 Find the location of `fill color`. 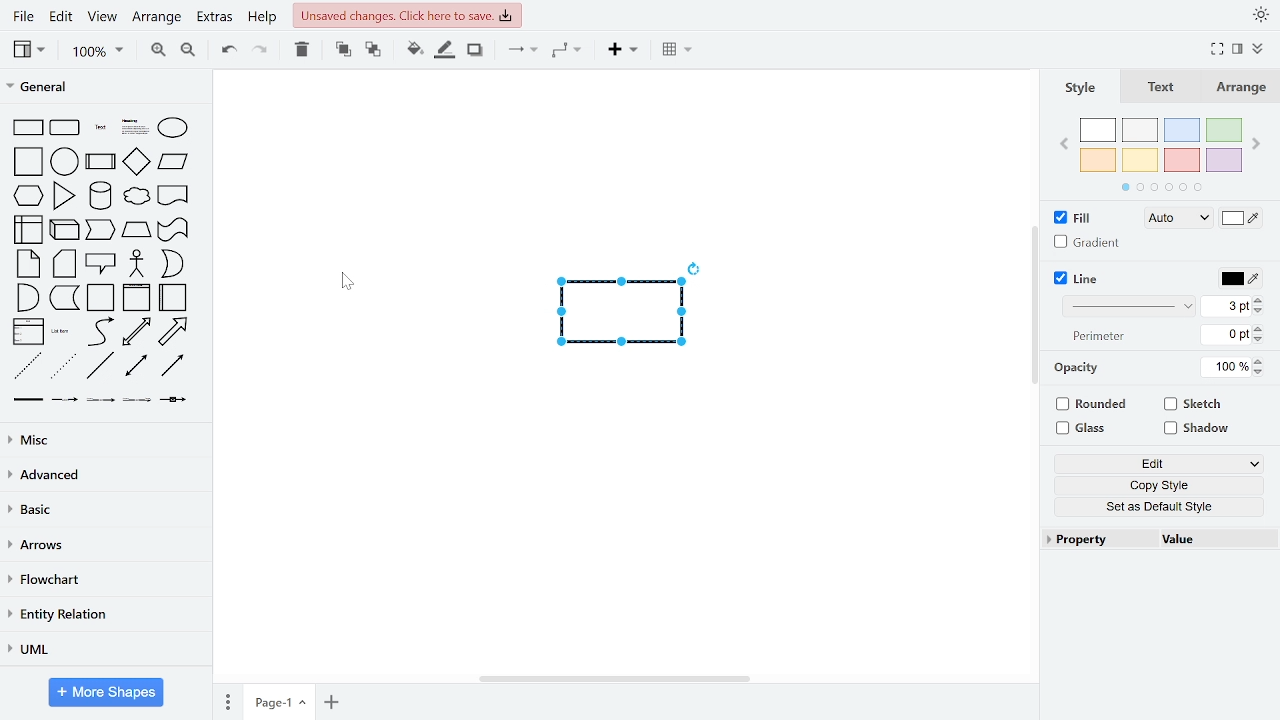

fill color is located at coordinates (1242, 219).